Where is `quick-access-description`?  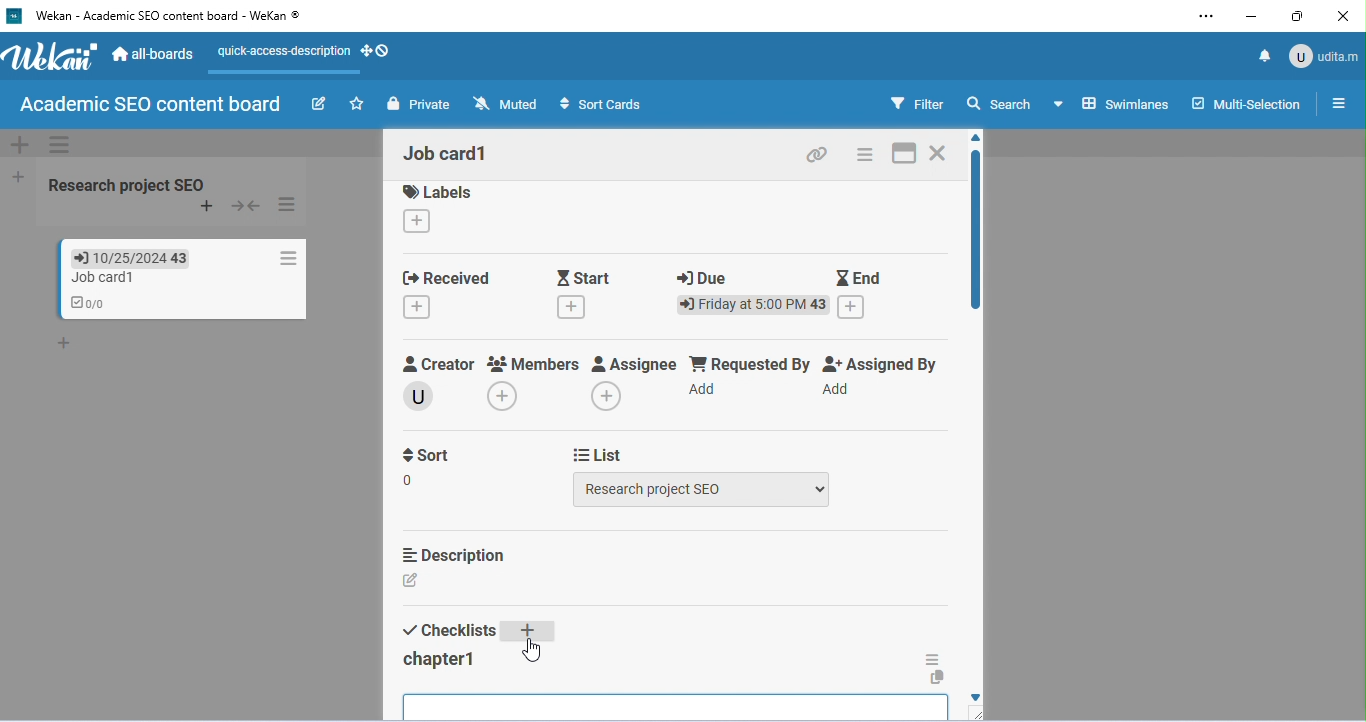 quick-access-description is located at coordinates (279, 58).